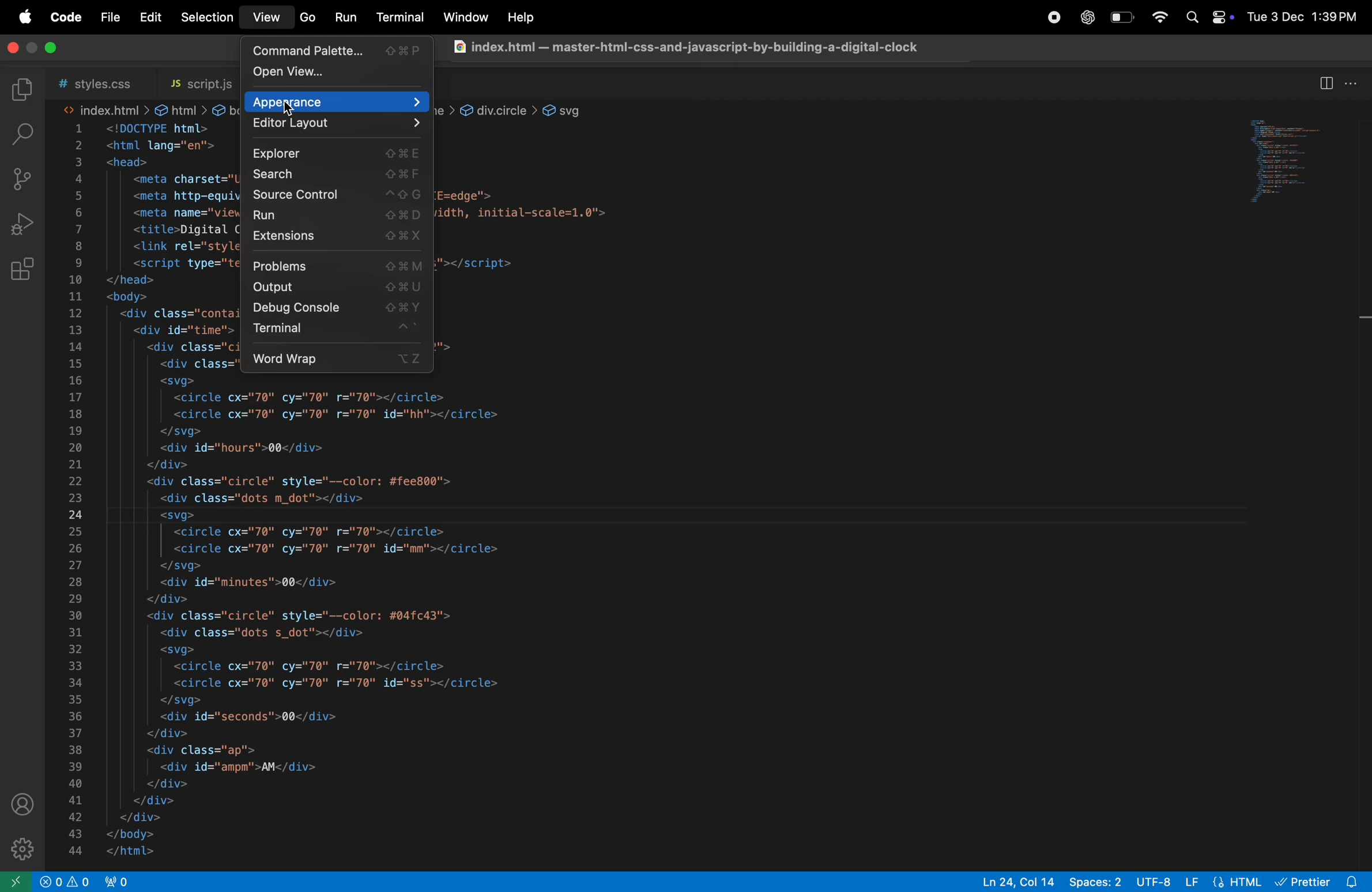  Describe the element at coordinates (1096, 882) in the screenshot. I see `spaces 8` at that location.